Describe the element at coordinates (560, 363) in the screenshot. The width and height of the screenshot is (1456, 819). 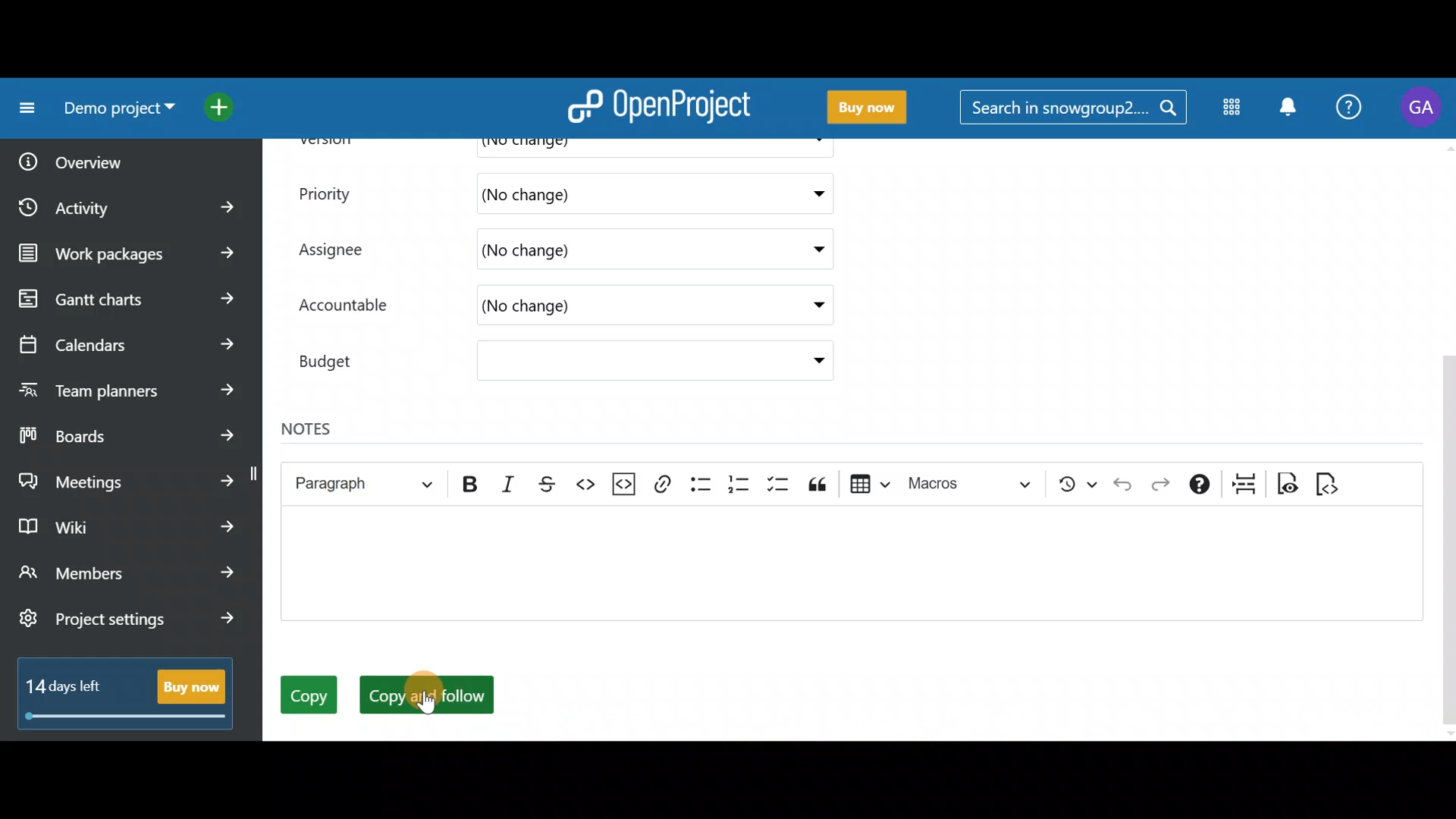
I see `Budget` at that location.